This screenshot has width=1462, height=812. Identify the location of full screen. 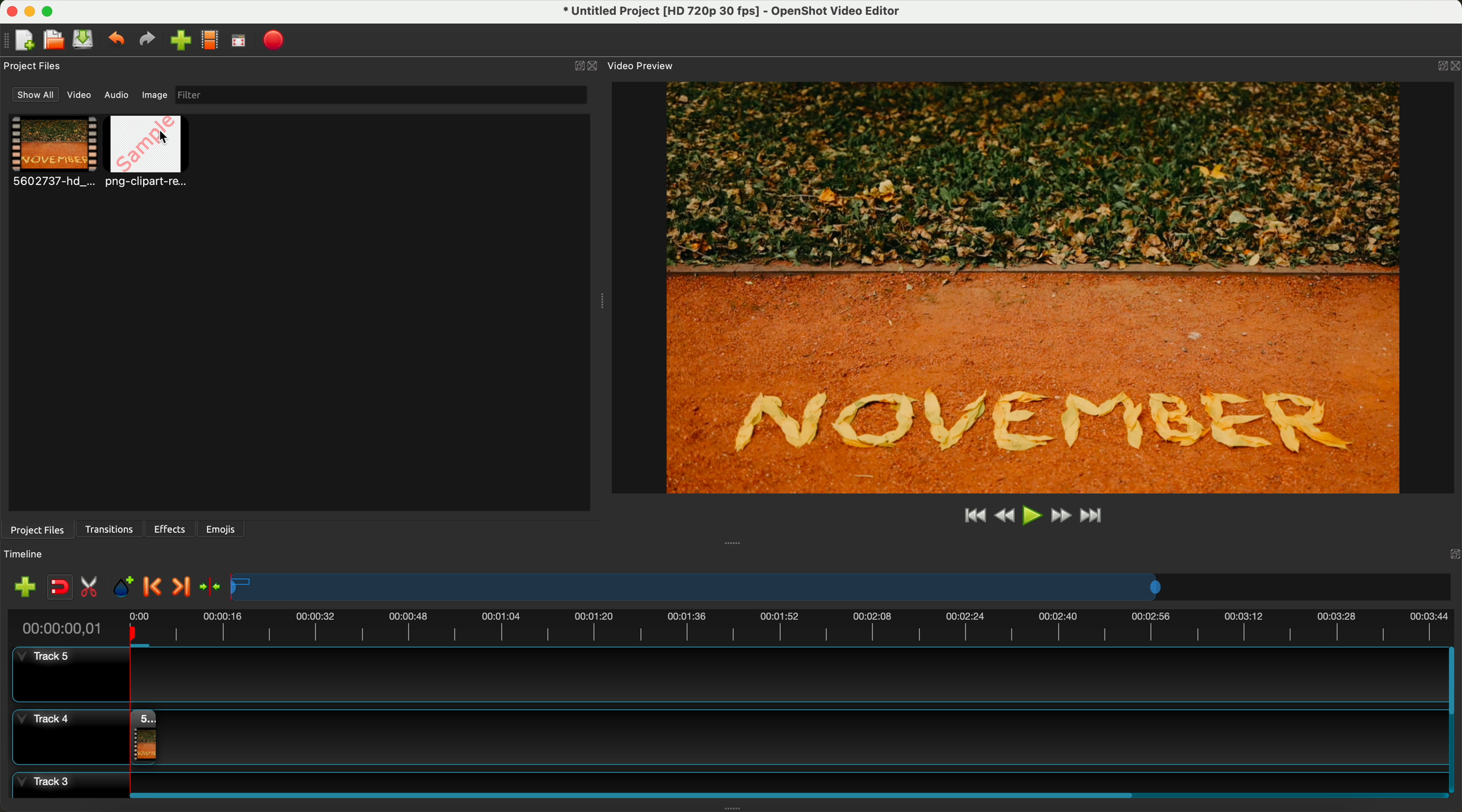
(240, 43).